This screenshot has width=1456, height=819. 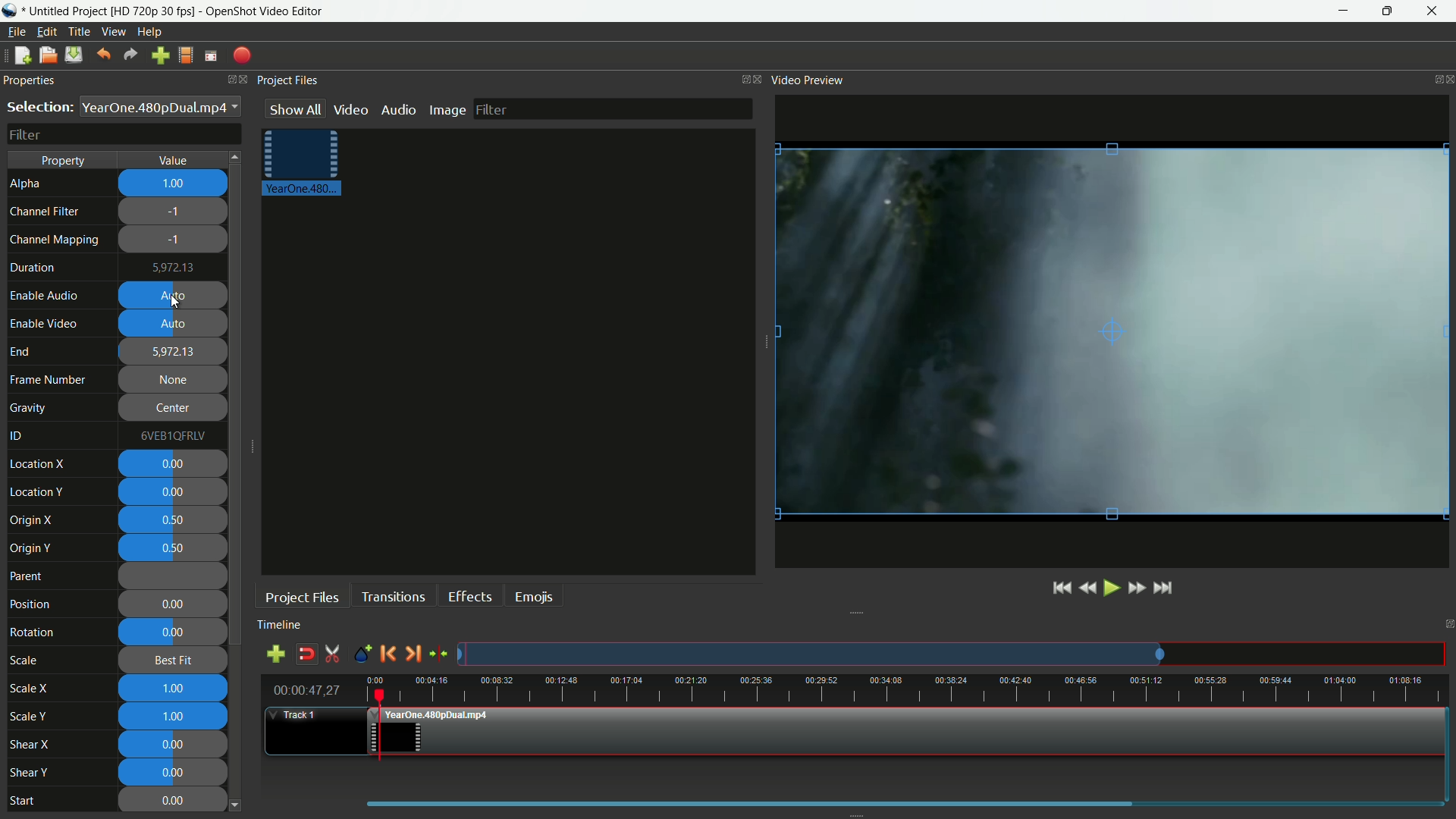 I want to click on -1, so click(x=174, y=240).